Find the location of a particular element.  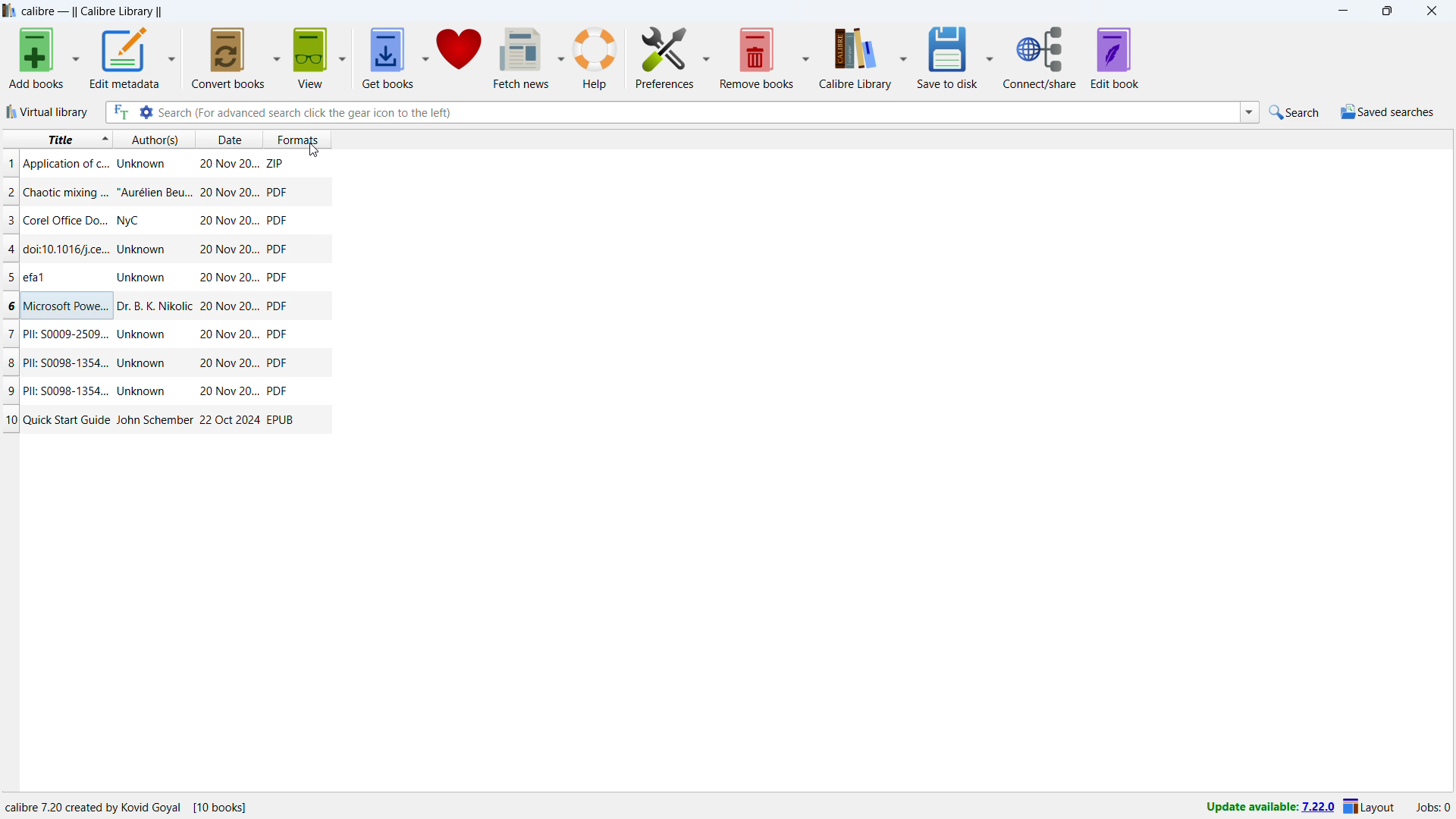

4 is located at coordinates (10, 248).